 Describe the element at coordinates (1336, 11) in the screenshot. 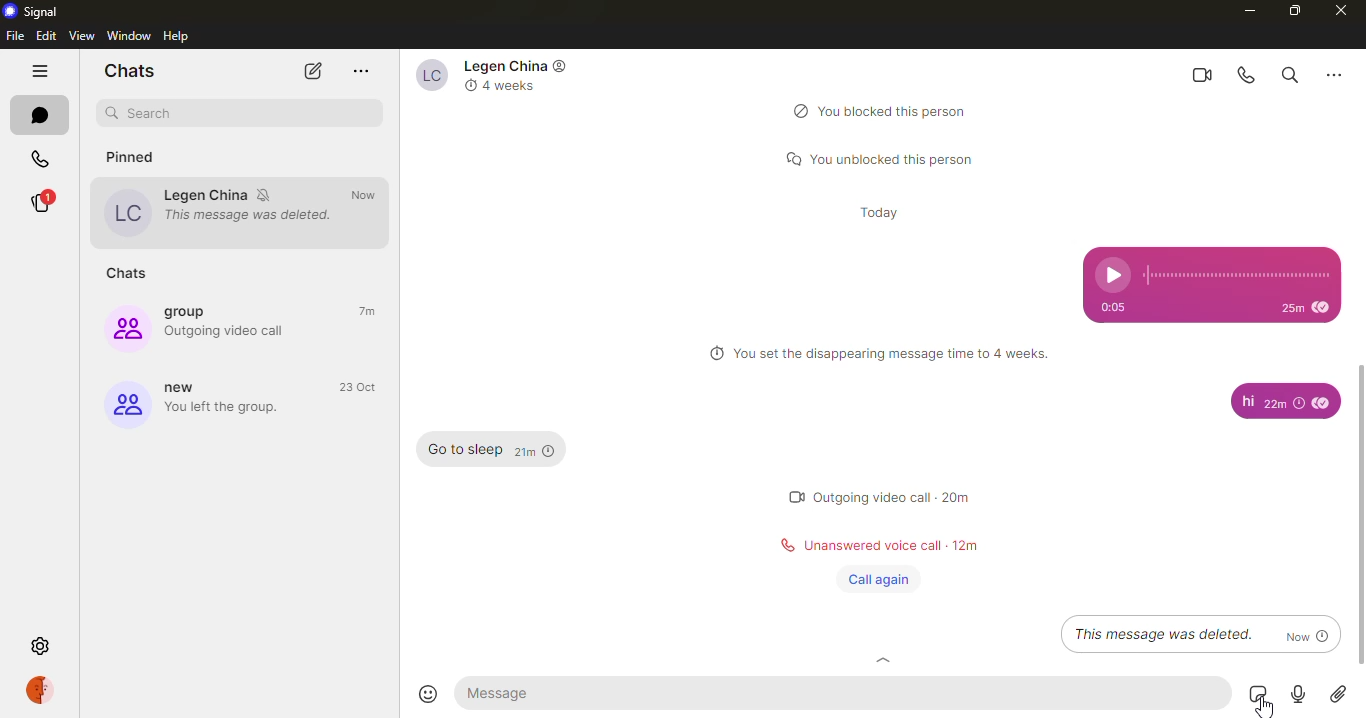

I see `close` at that location.